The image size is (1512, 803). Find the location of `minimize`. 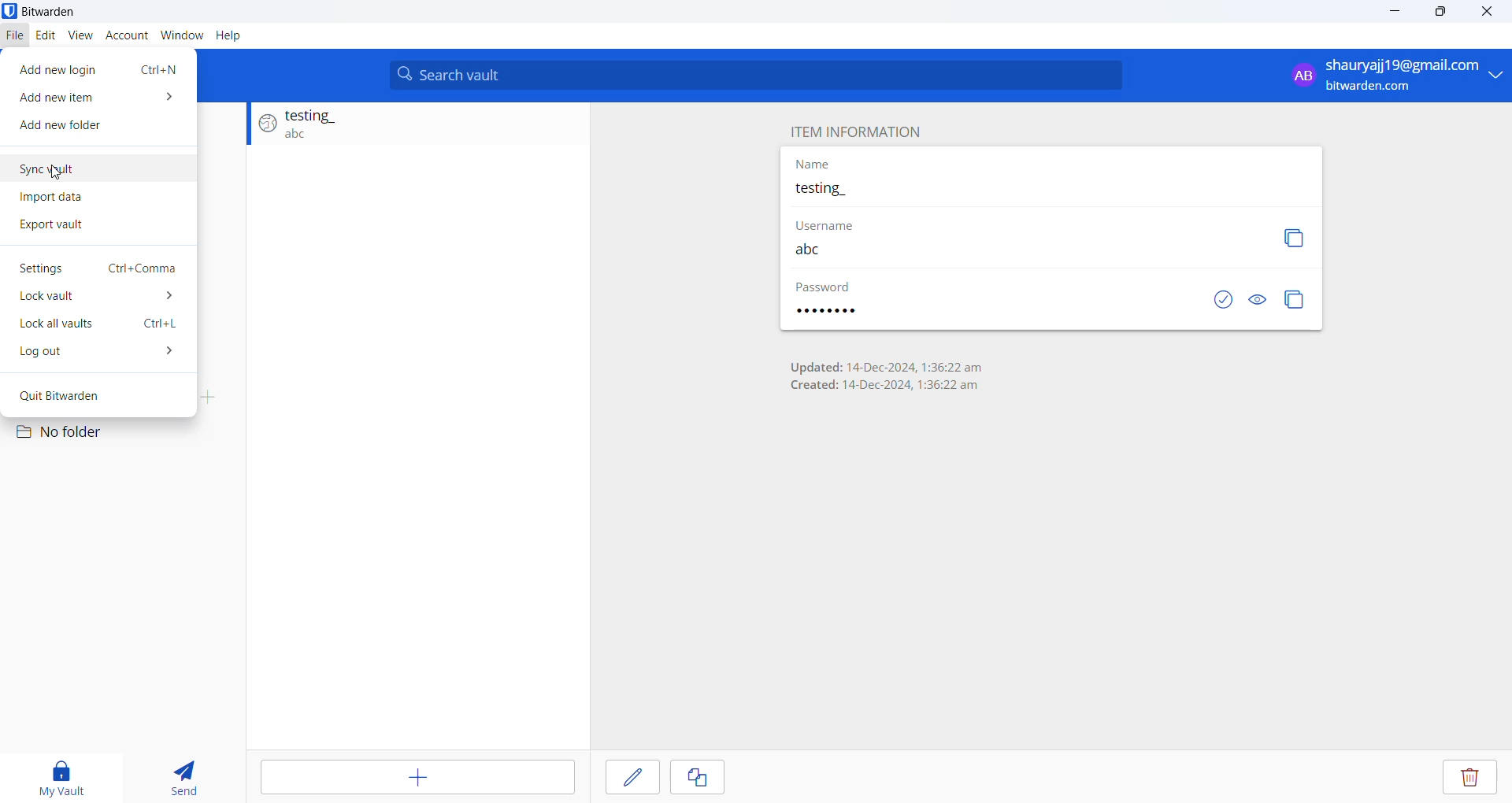

minimize is located at coordinates (1392, 17).